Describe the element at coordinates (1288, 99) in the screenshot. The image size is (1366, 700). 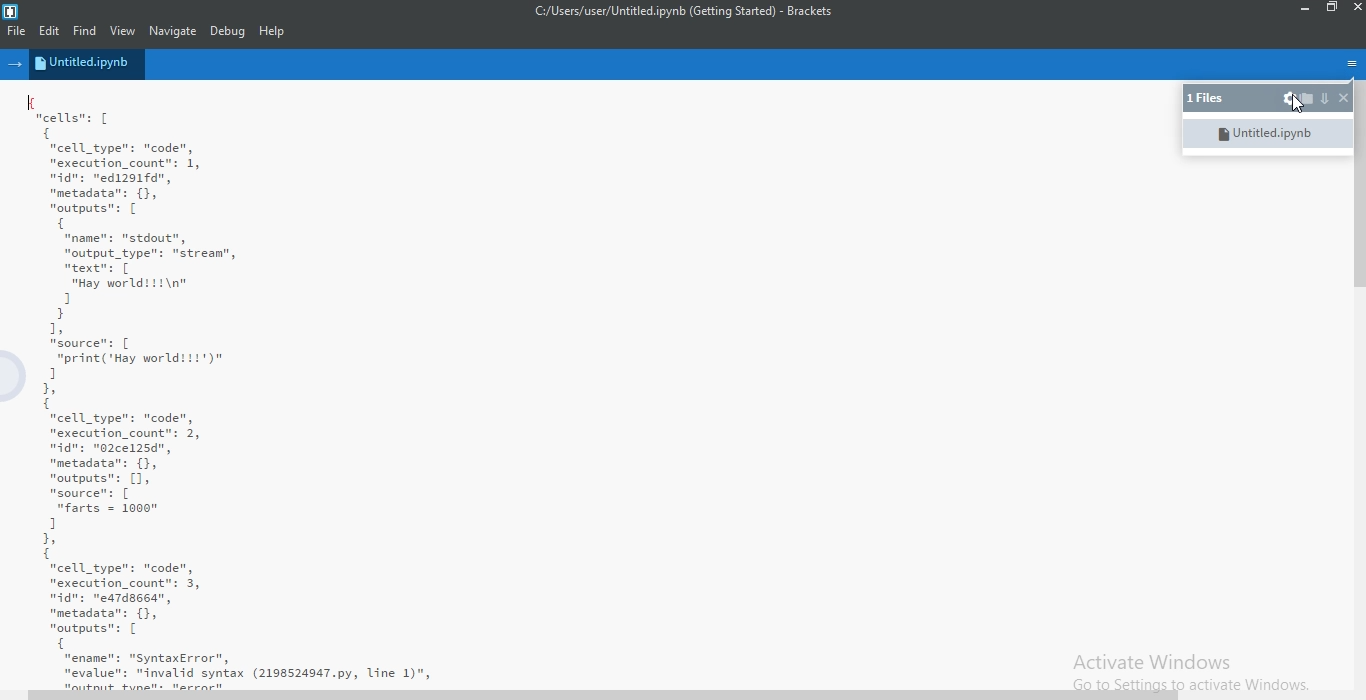
I see `settings` at that location.